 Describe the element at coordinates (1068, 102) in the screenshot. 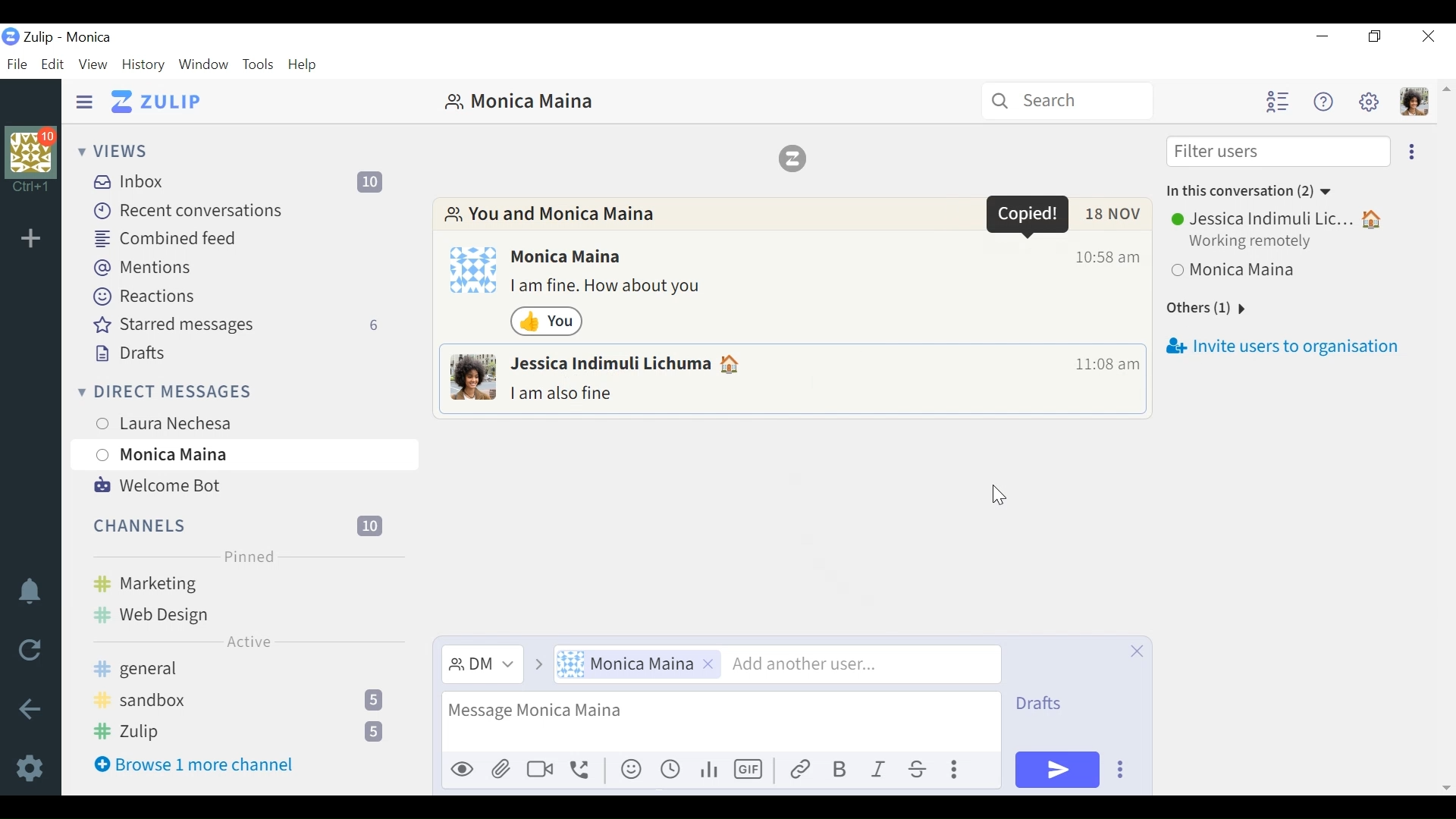

I see `Search` at that location.